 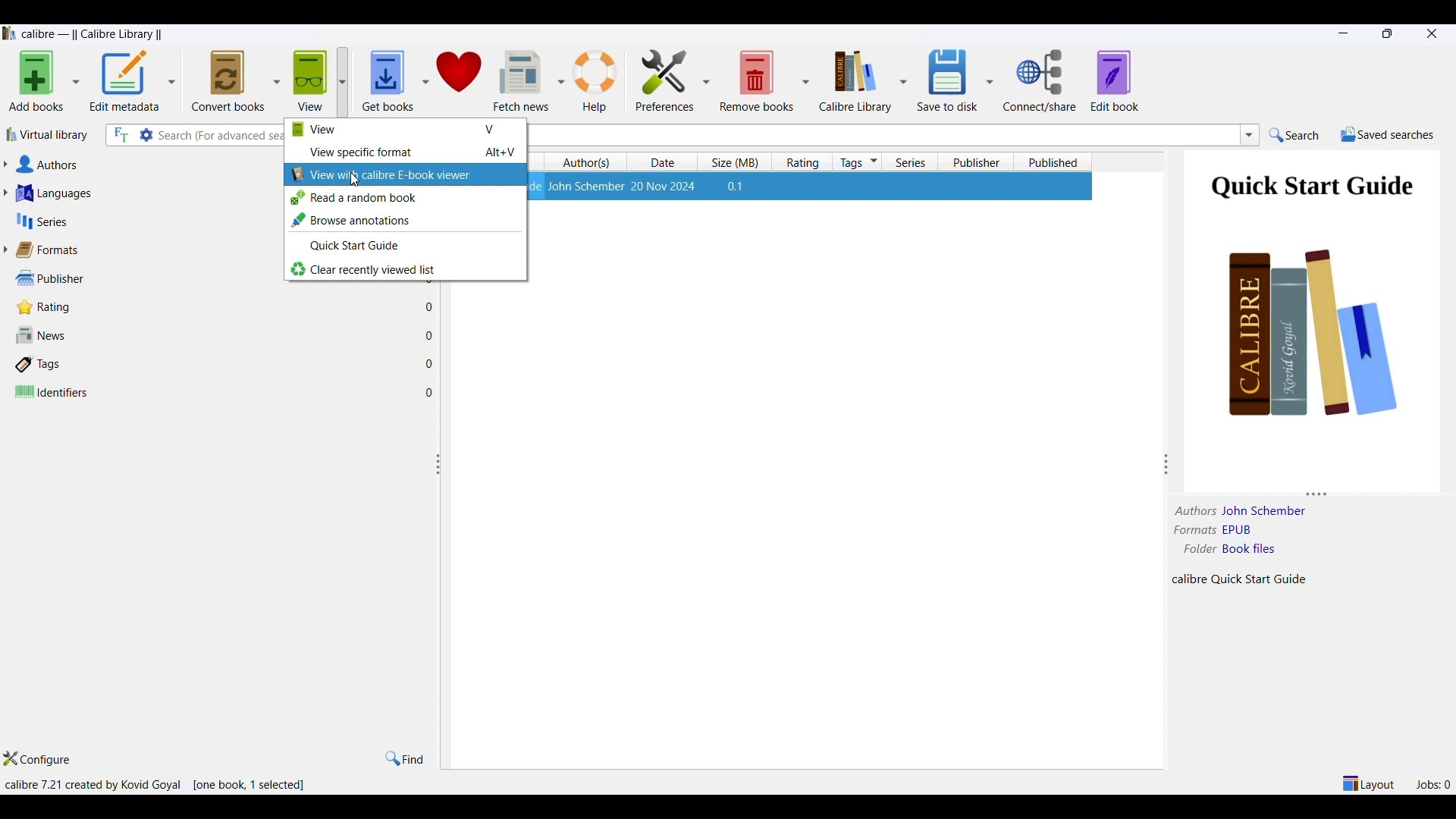 What do you see at coordinates (52, 134) in the screenshot?
I see `virtual library` at bounding box center [52, 134].